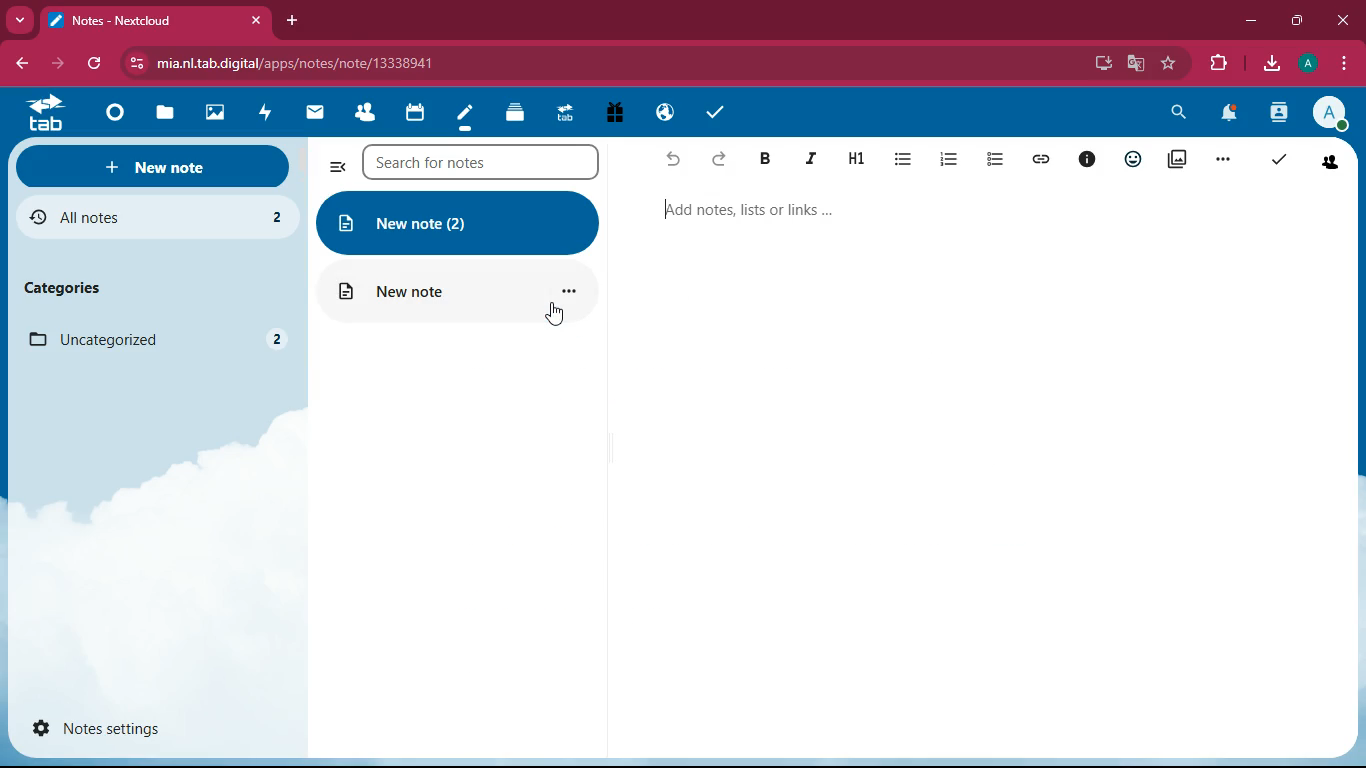 The image size is (1366, 768). I want to click on profile, so click(1307, 63).